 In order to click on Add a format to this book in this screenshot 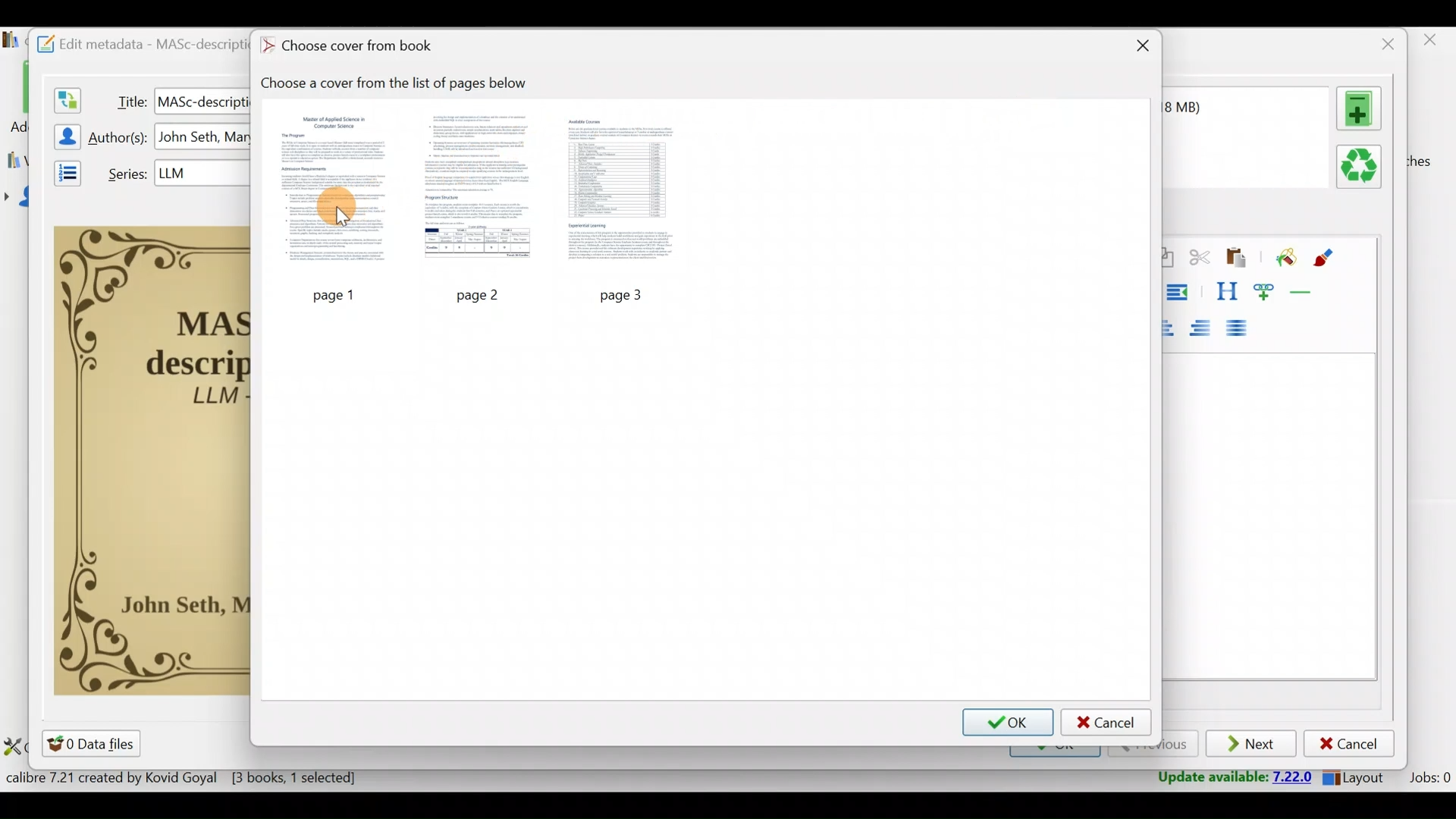, I will do `click(1362, 108)`.